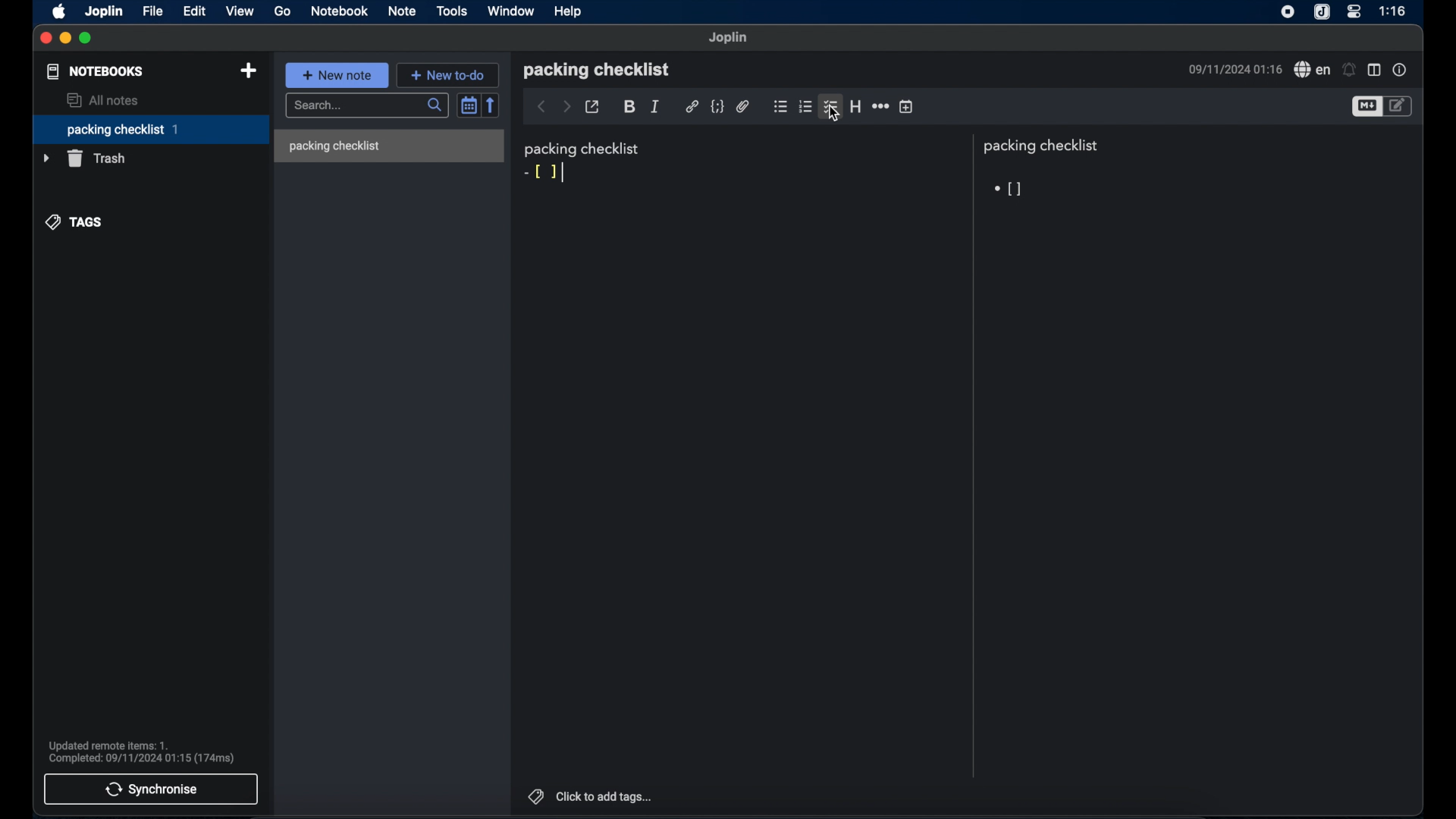  Describe the element at coordinates (1399, 107) in the screenshot. I see `toggle edito` at that location.